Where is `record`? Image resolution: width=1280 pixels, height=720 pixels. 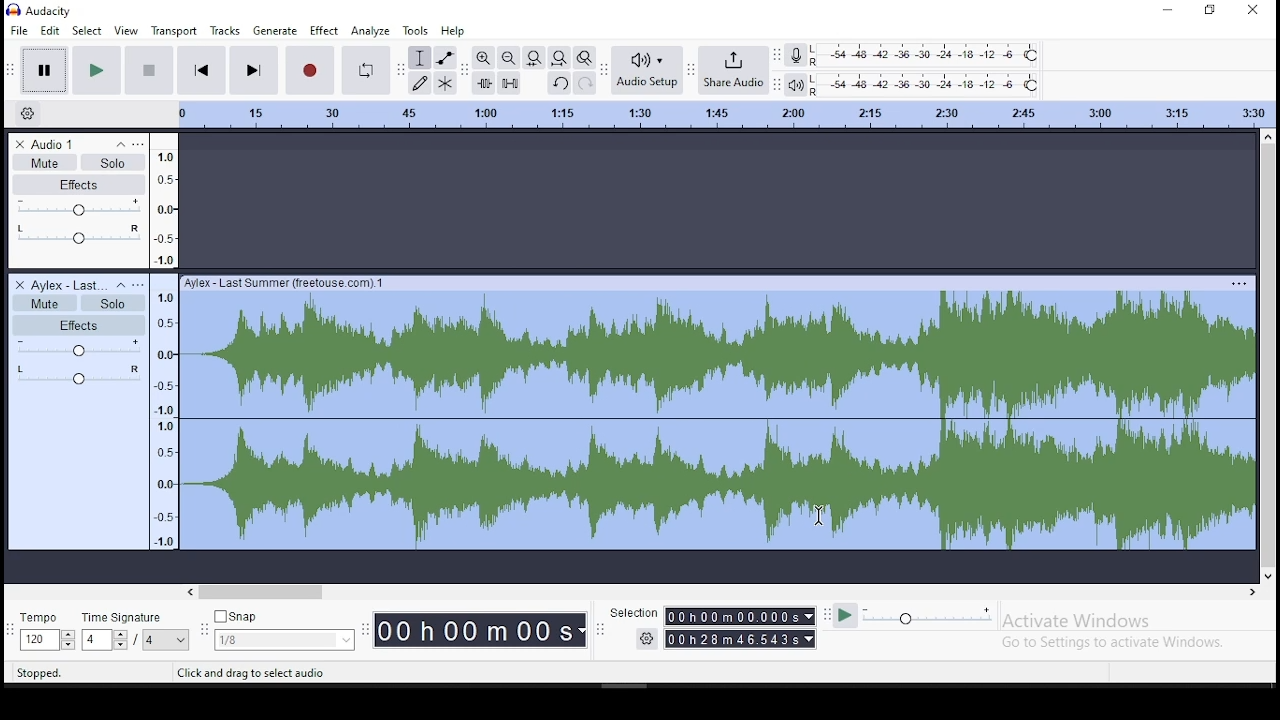 record is located at coordinates (310, 71).